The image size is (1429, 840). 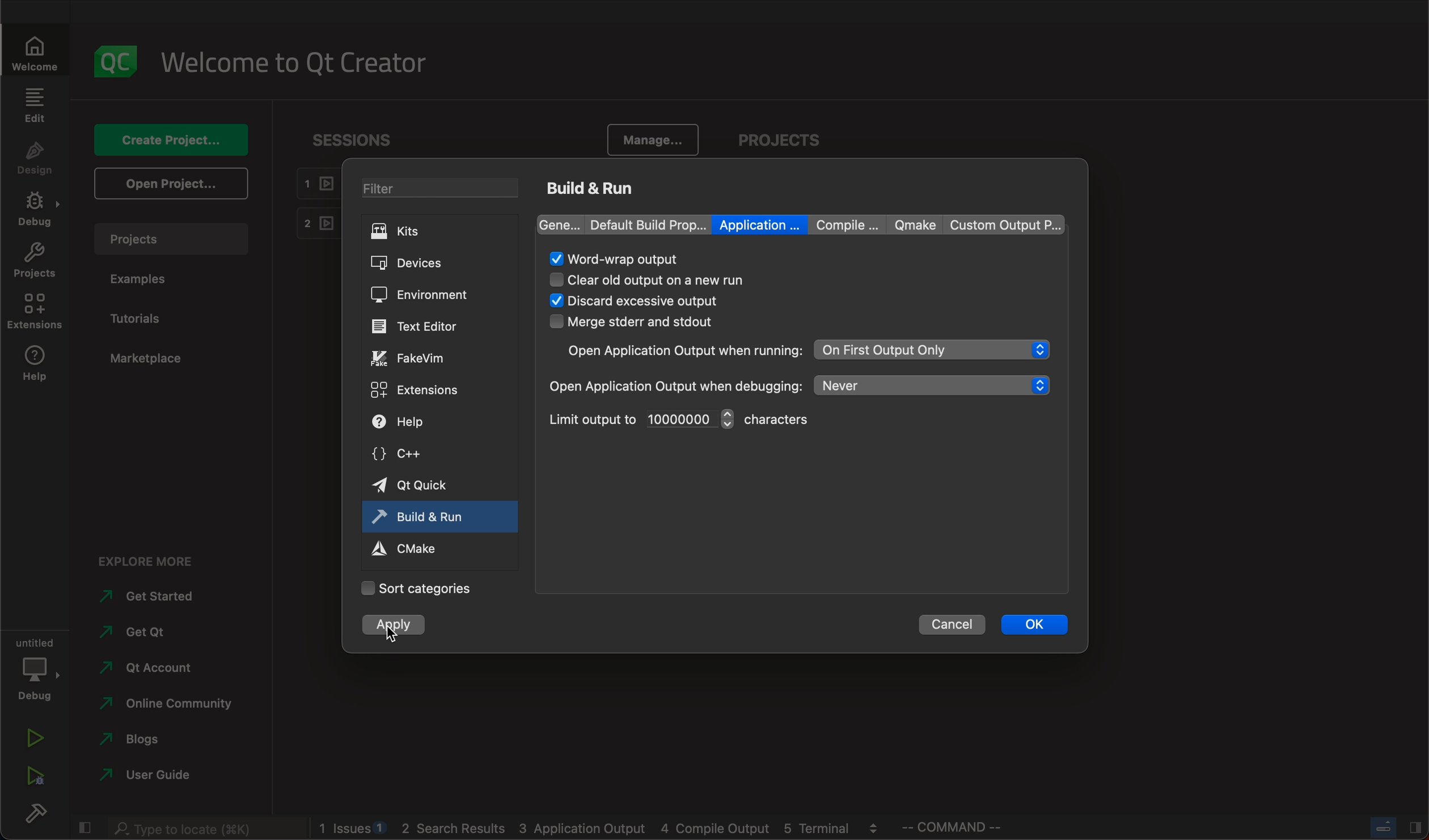 What do you see at coordinates (561, 224) in the screenshot?
I see `gene` at bounding box center [561, 224].